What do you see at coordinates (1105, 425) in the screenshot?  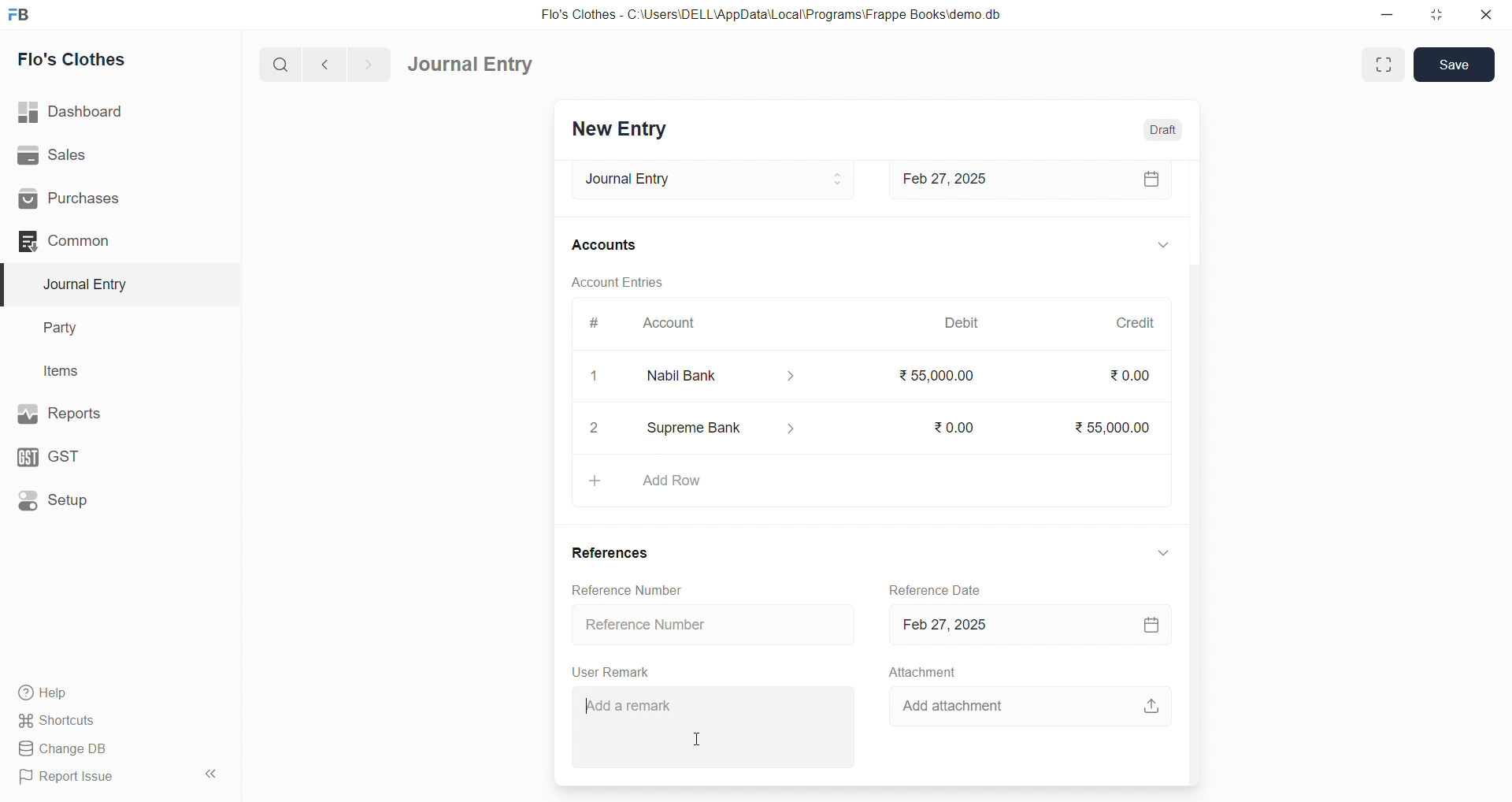 I see `₹55,000.00` at bounding box center [1105, 425].